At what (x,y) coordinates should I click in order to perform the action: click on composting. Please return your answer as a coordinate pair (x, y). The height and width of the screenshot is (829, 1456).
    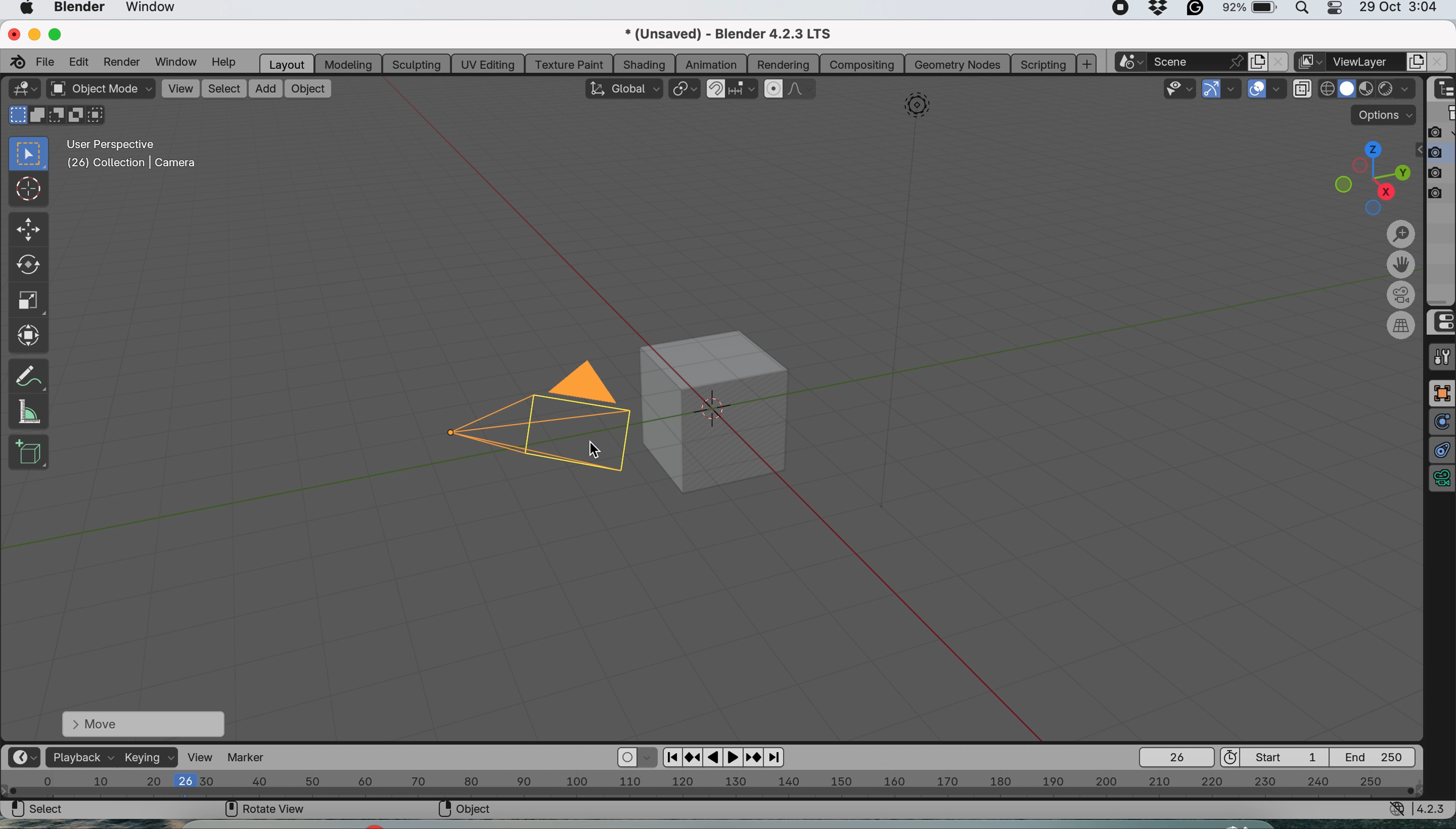
    Looking at the image, I should click on (864, 64).